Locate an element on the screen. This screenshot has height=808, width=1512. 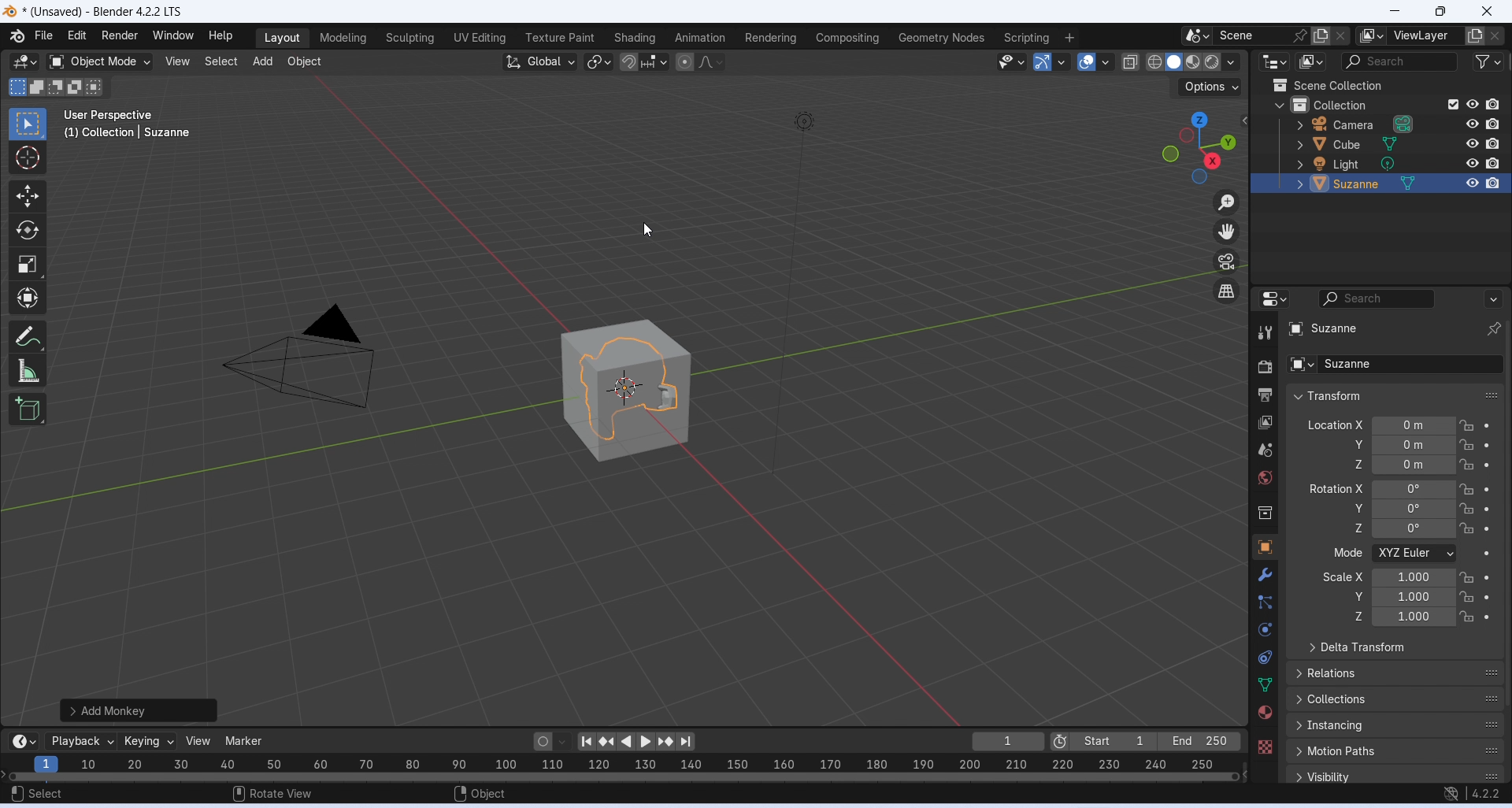
lock location is located at coordinates (1466, 445).